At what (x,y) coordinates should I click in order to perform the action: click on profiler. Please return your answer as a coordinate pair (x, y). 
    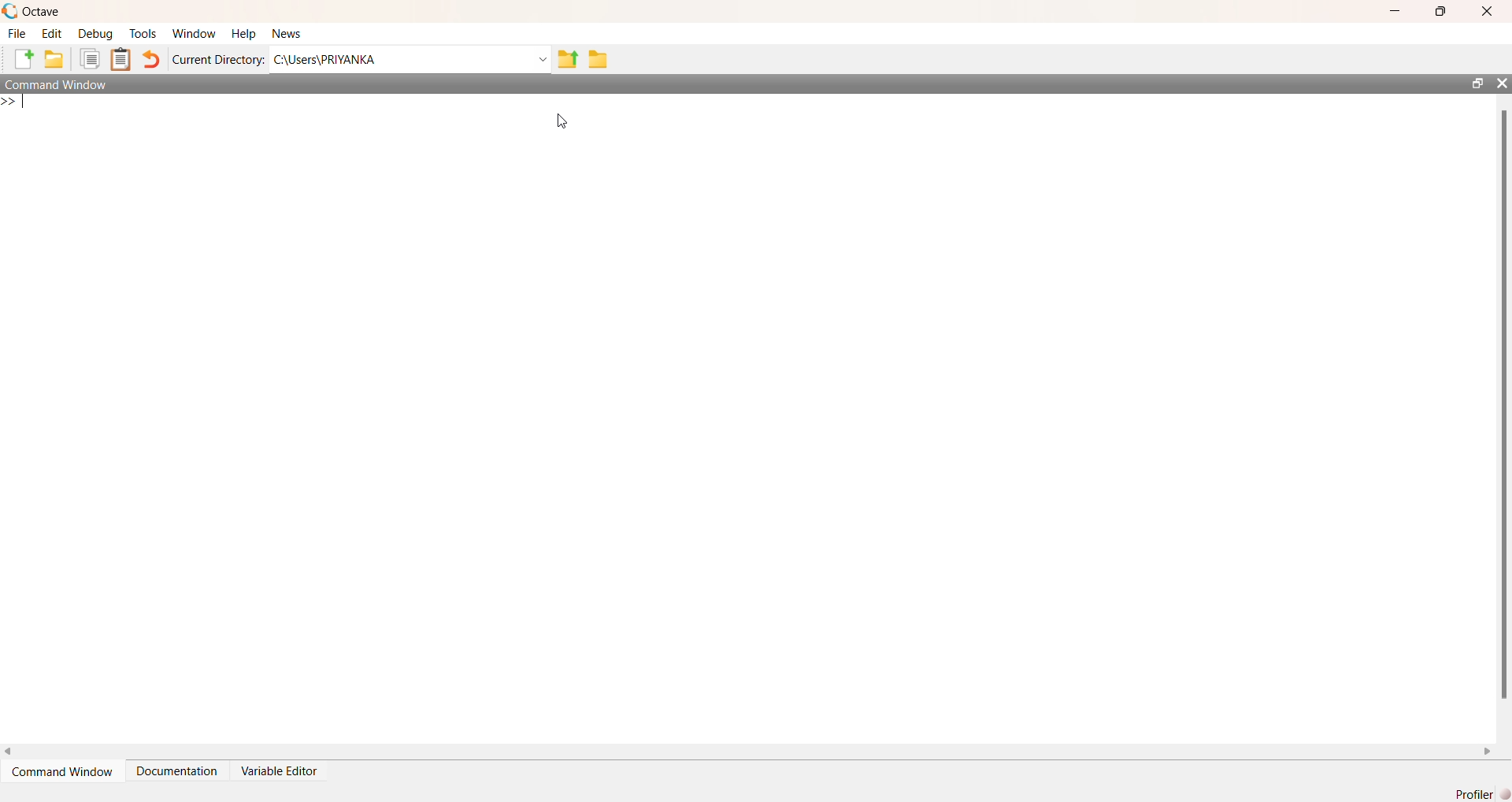
    Looking at the image, I should click on (1477, 795).